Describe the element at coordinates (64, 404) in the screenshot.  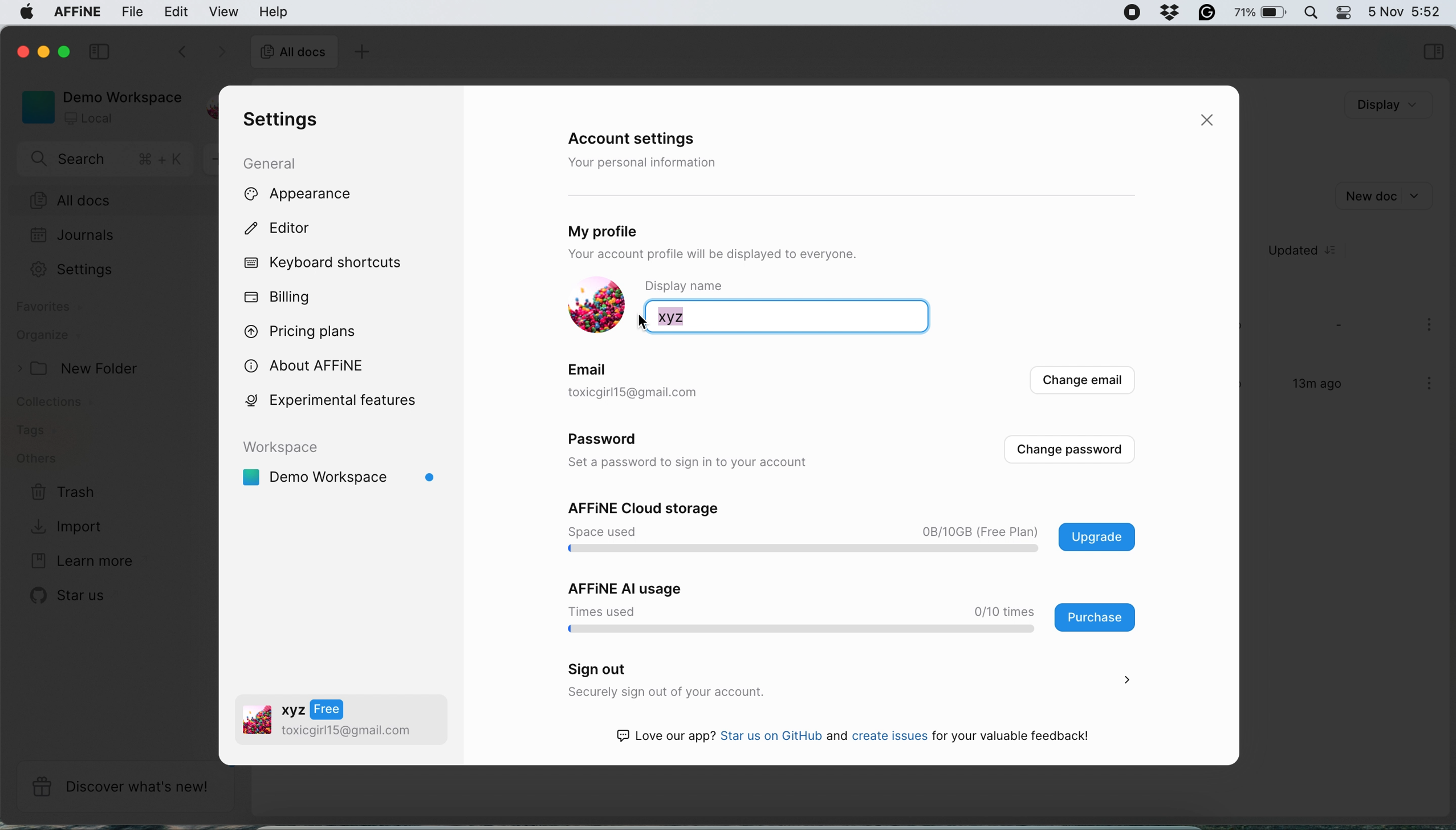
I see `collections` at that location.